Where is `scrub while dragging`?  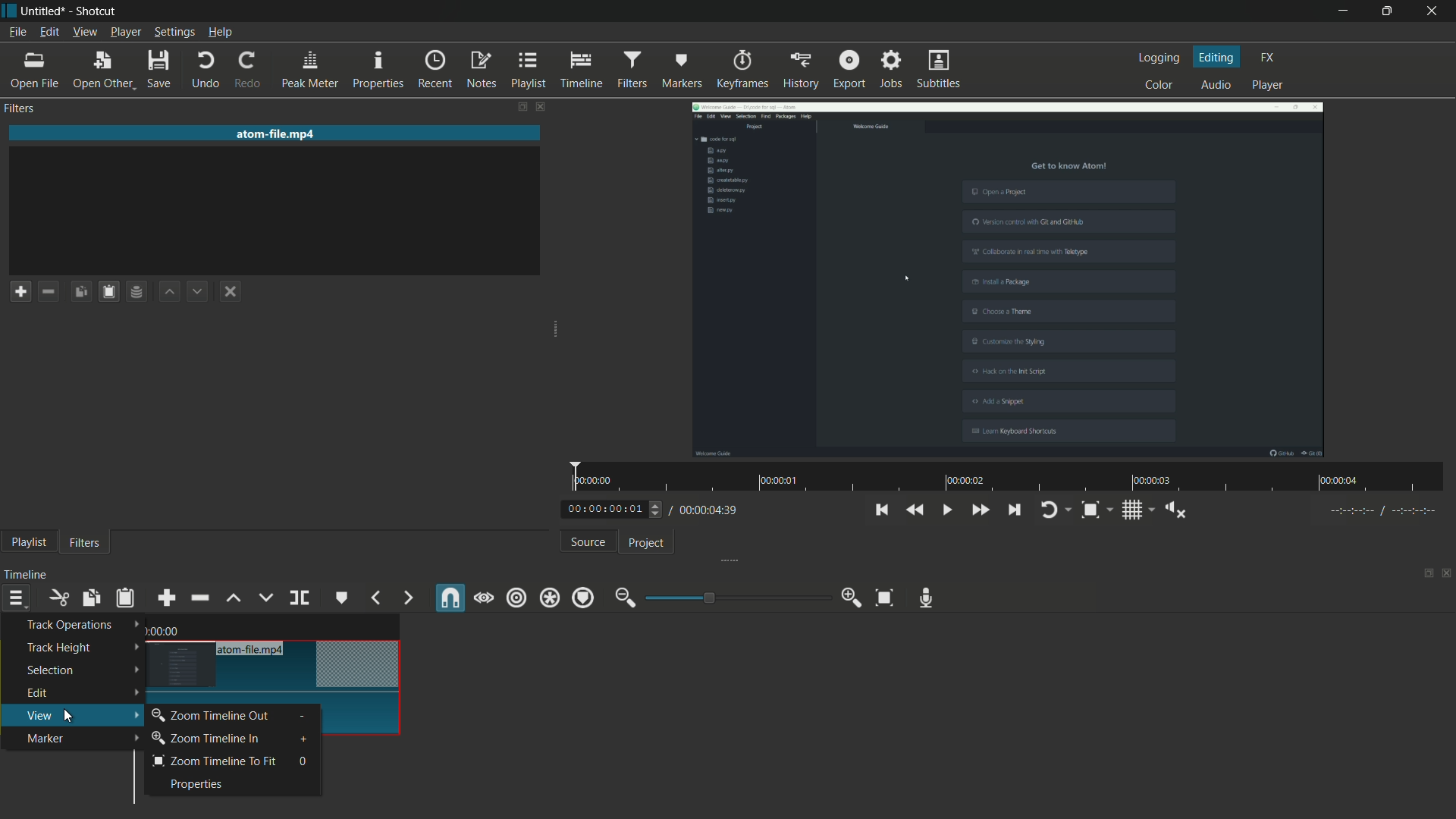 scrub while dragging is located at coordinates (483, 599).